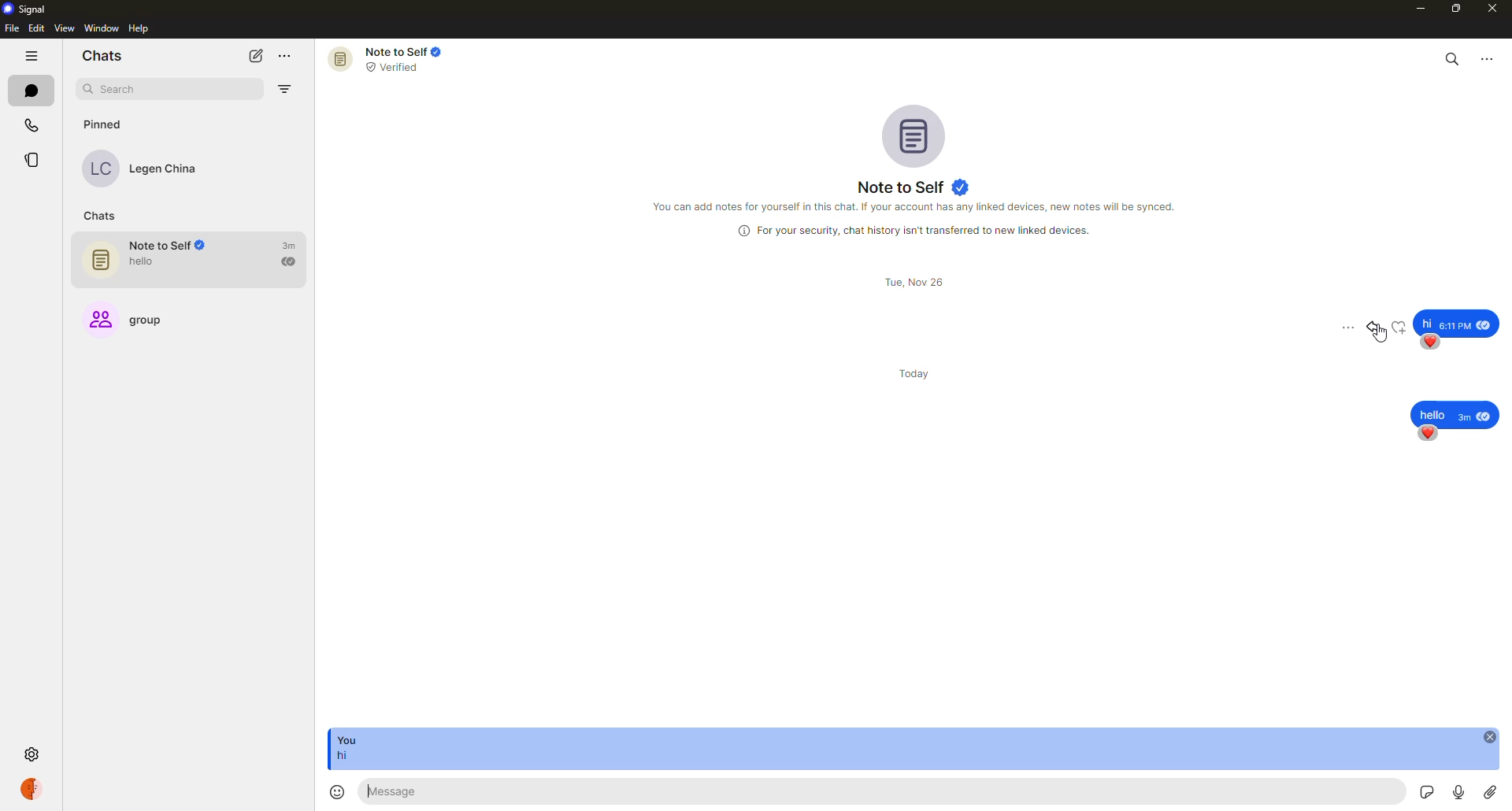 This screenshot has height=811, width=1512. Describe the element at coordinates (289, 55) in the screenshot. I see `more` at that location.